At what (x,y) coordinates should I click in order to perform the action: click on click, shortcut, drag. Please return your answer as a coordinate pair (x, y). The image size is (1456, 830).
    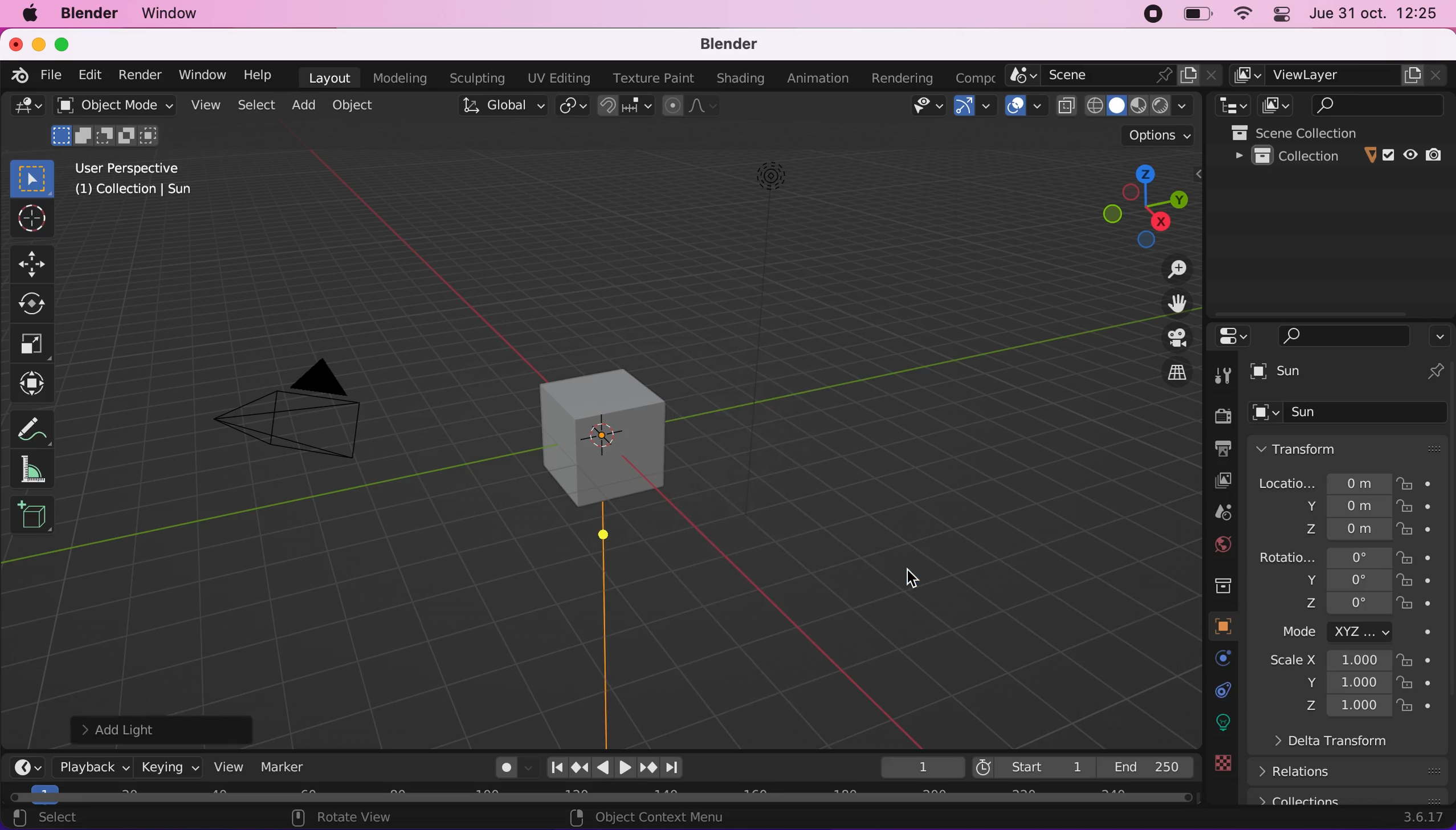
    Looking at the image, I should click on (1137, 201).